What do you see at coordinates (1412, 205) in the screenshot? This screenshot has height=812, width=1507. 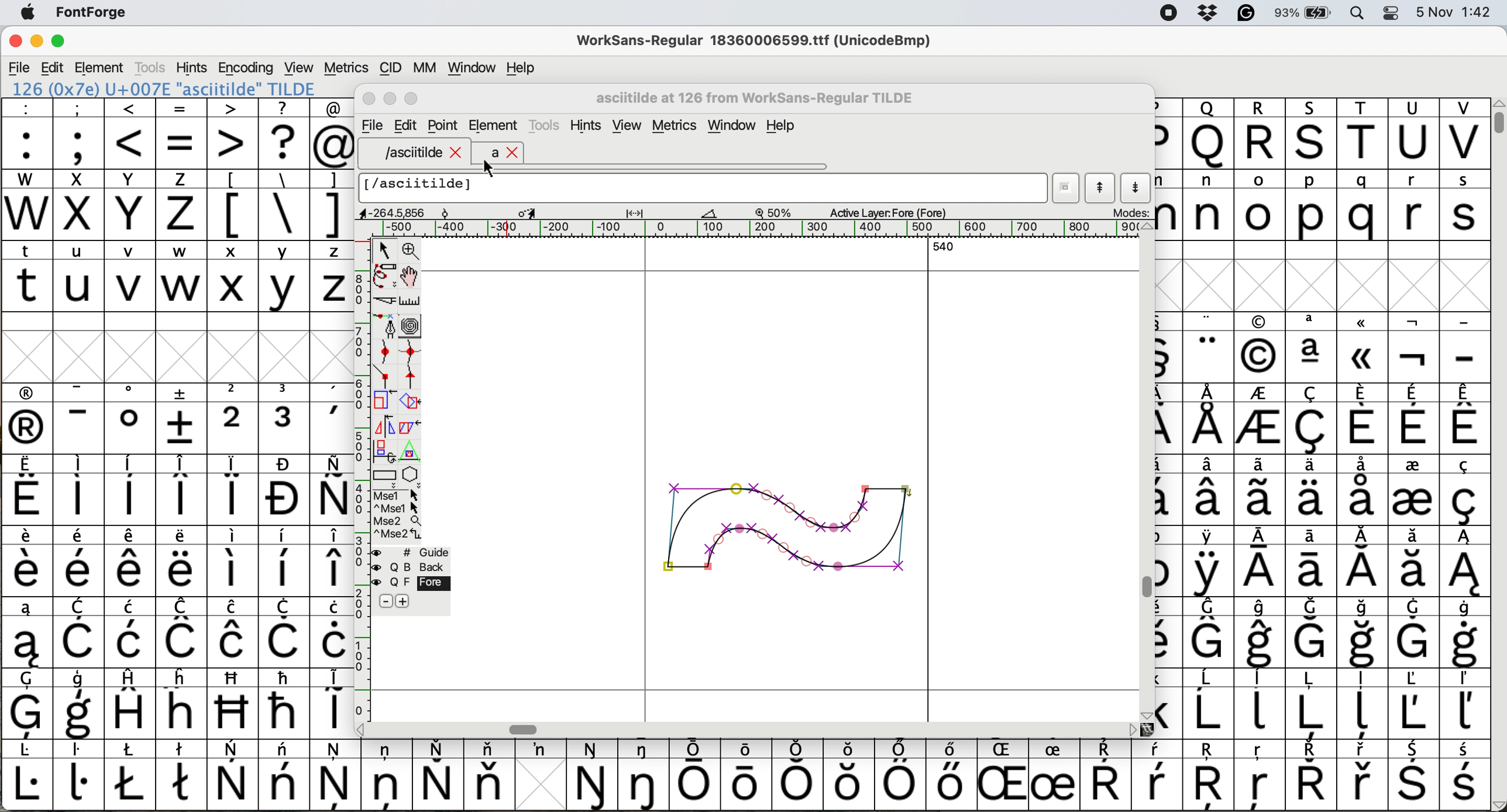 I see `r` at bounding box center [1412, 205].